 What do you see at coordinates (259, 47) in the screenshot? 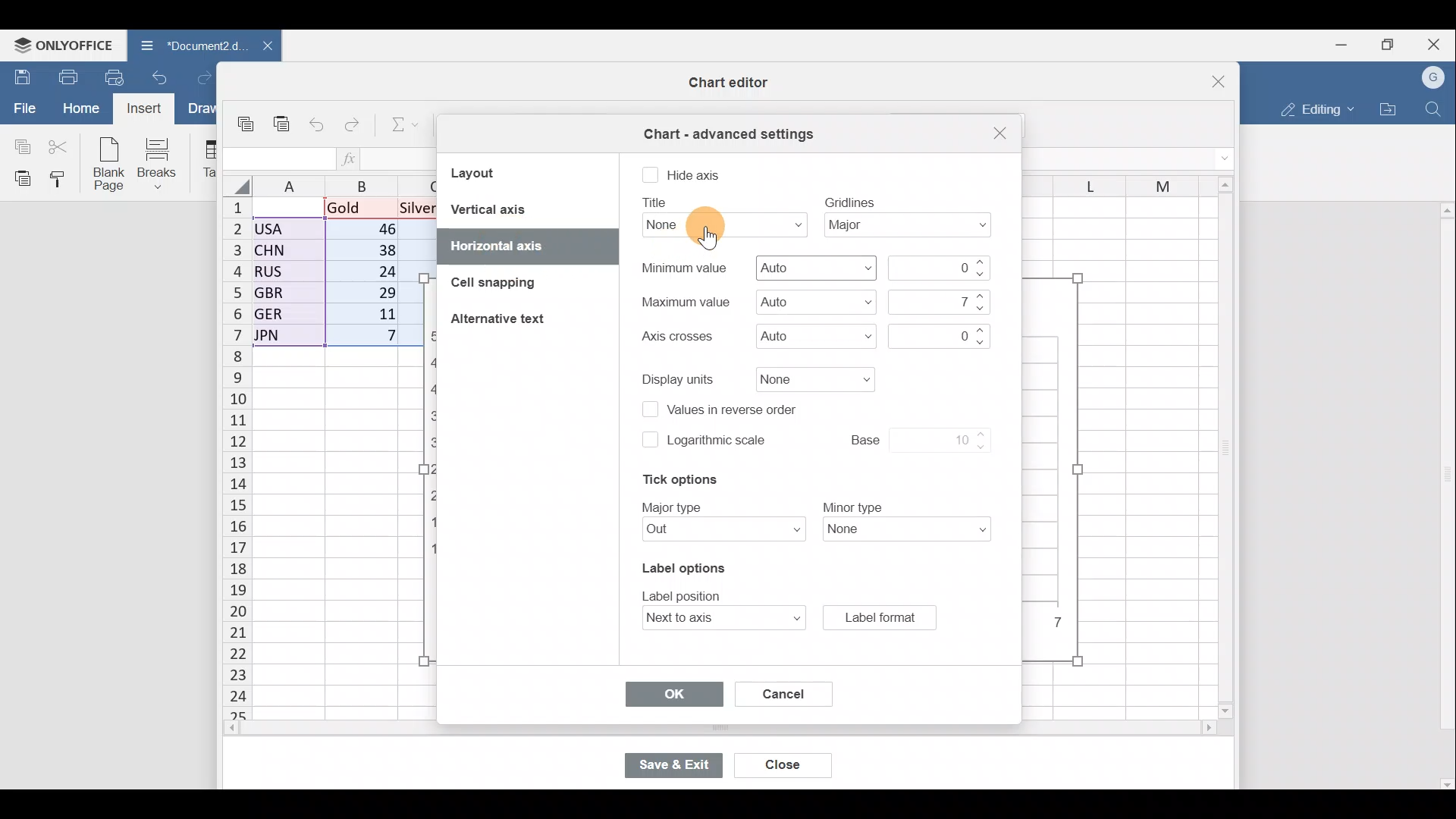
I see `Close document` at bounding box center [259, 47].